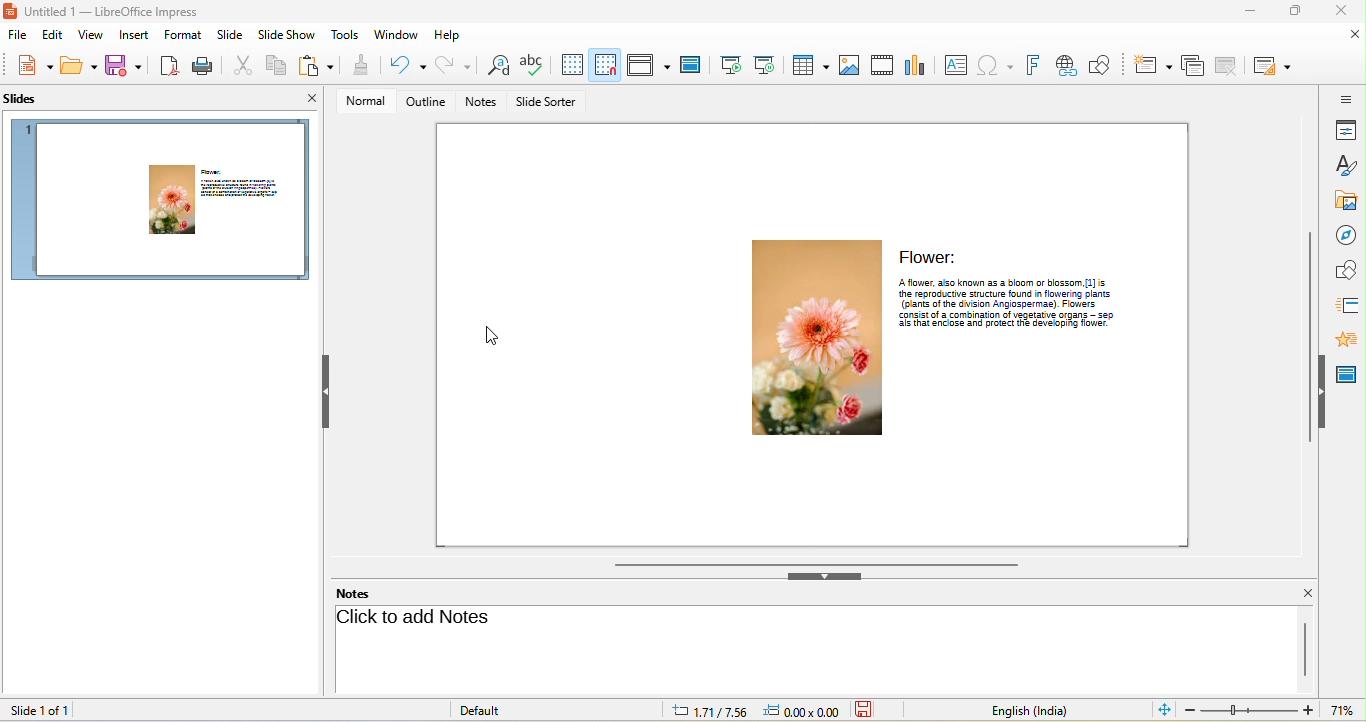 The image size is (1366, 722). What do you see at coordinates (1306, 650) in the screenshot?
I see `vertical scroll bar` at bounding box center [1306, 650].